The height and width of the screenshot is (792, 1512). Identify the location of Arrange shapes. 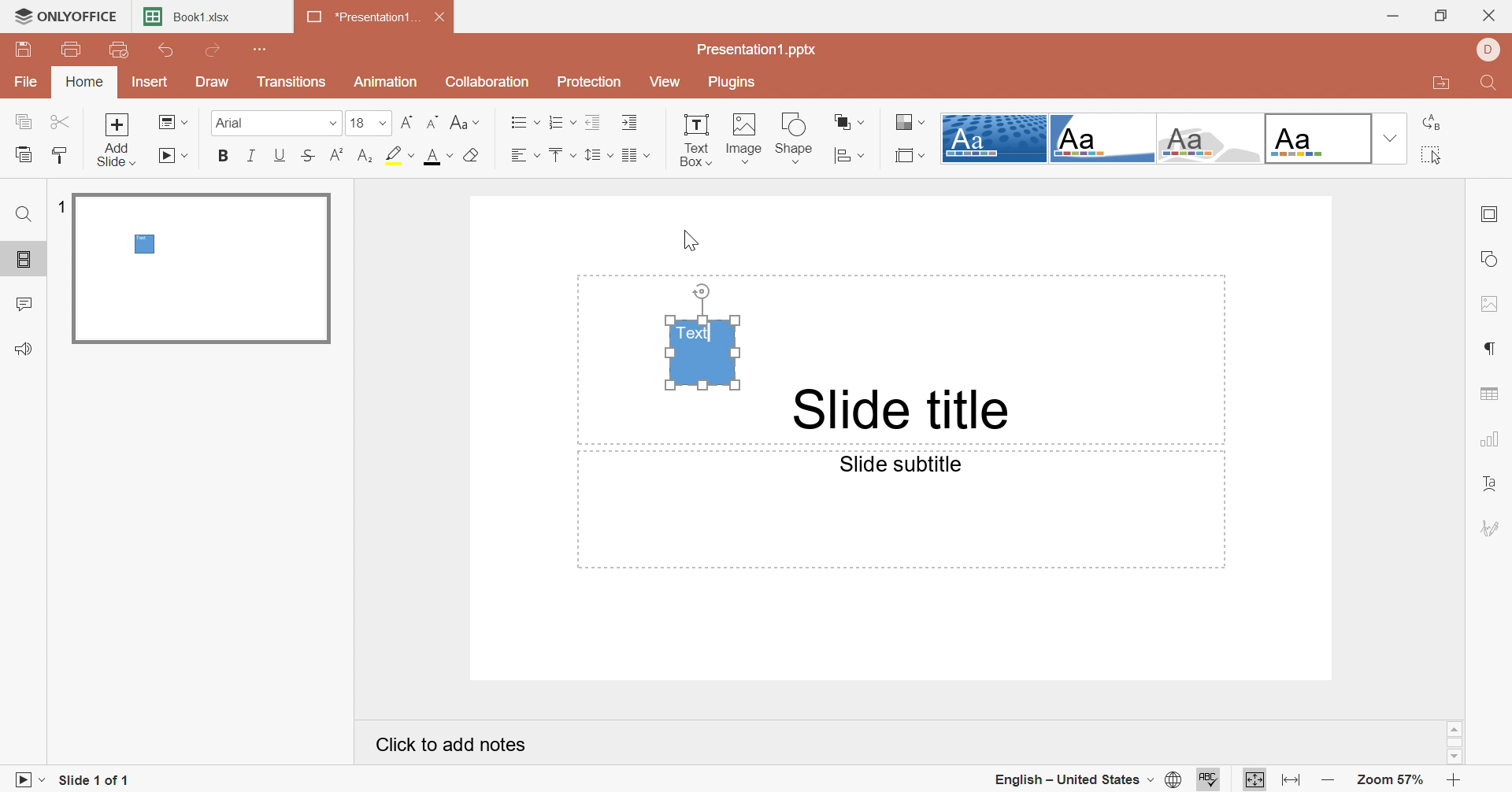
(847, 122).